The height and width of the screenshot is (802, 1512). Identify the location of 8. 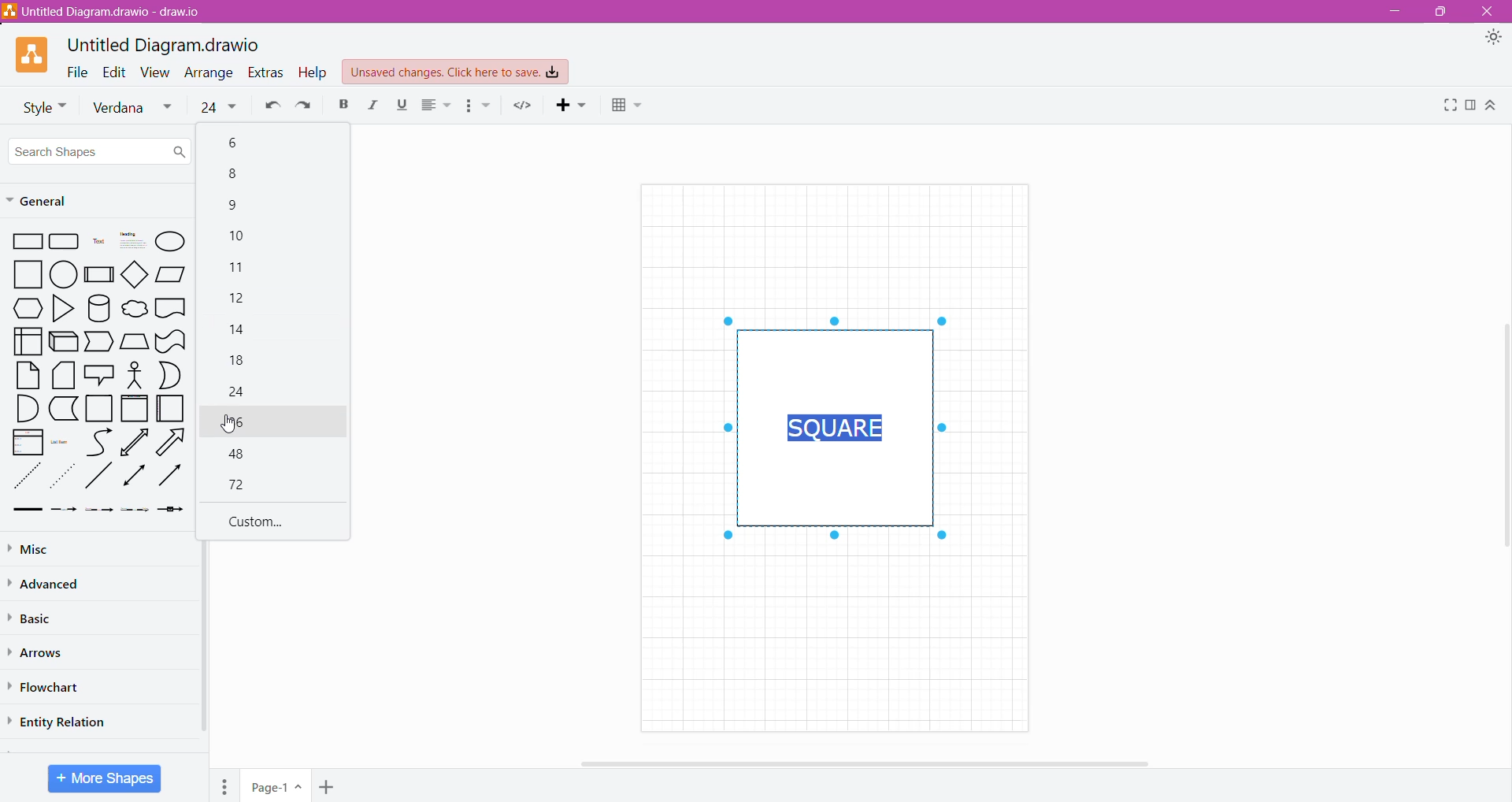
(238, 176).